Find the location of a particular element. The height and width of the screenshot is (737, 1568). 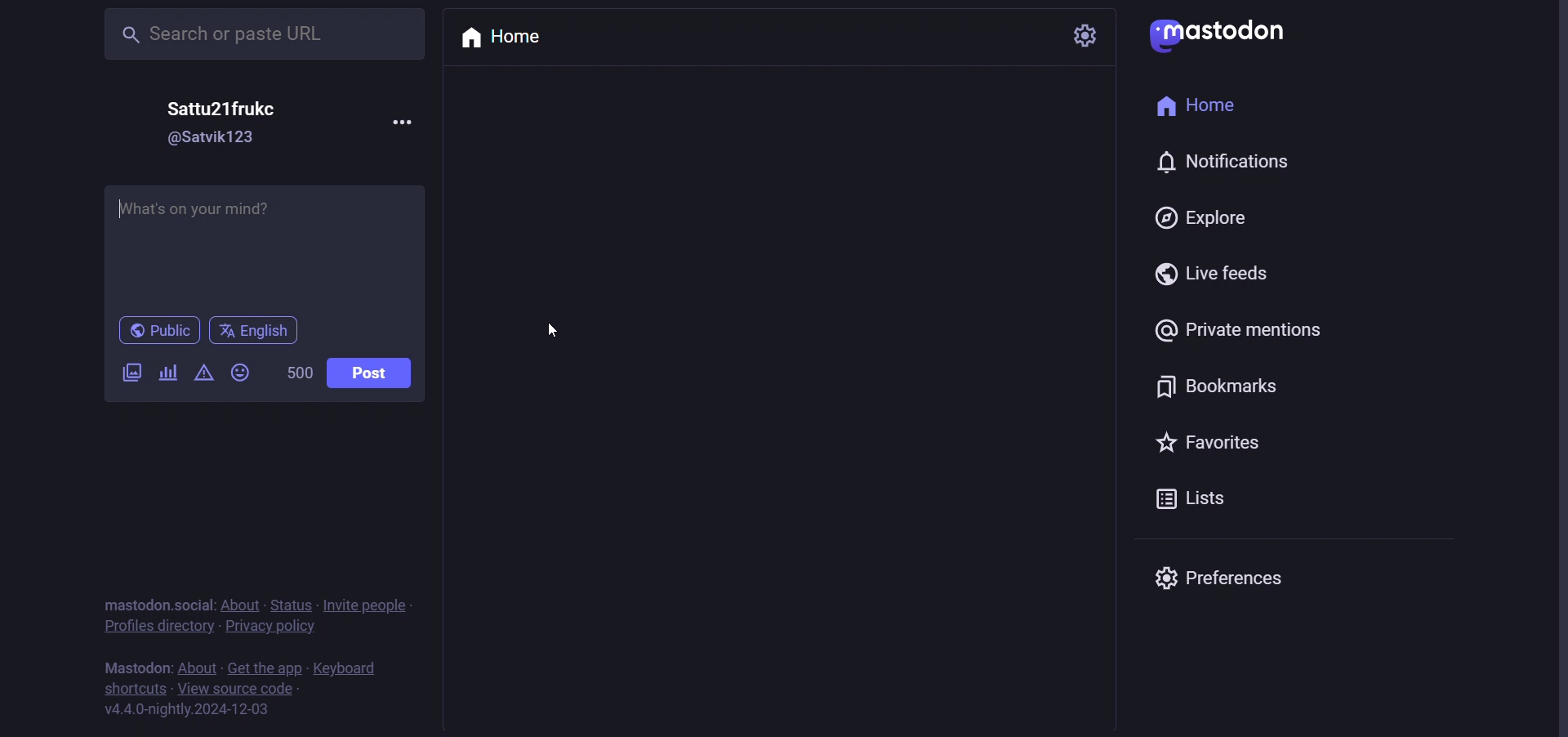

emoji is located at coordinates (240, 374).